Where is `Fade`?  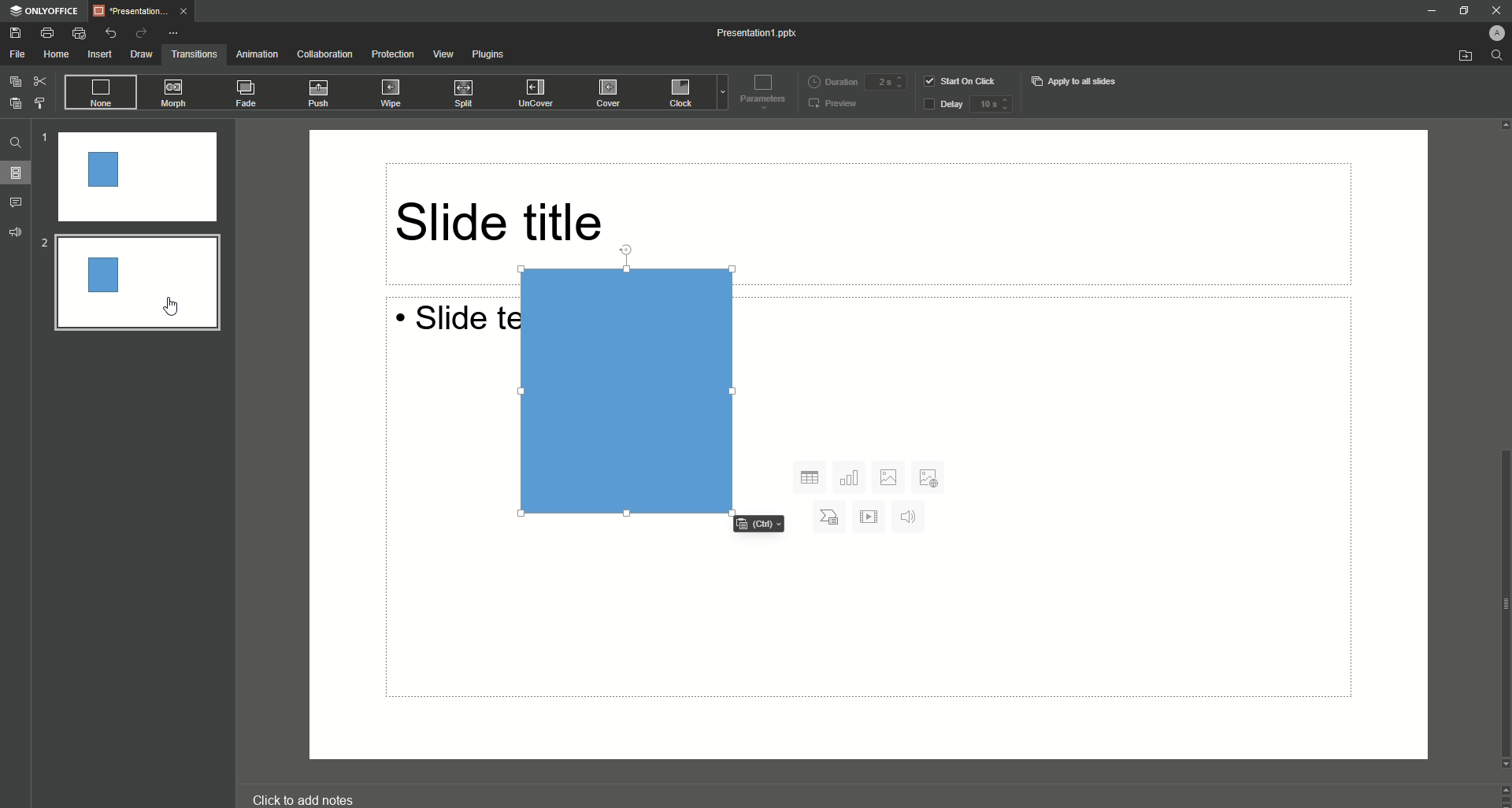
Fade is located at coordinates (247, 94).